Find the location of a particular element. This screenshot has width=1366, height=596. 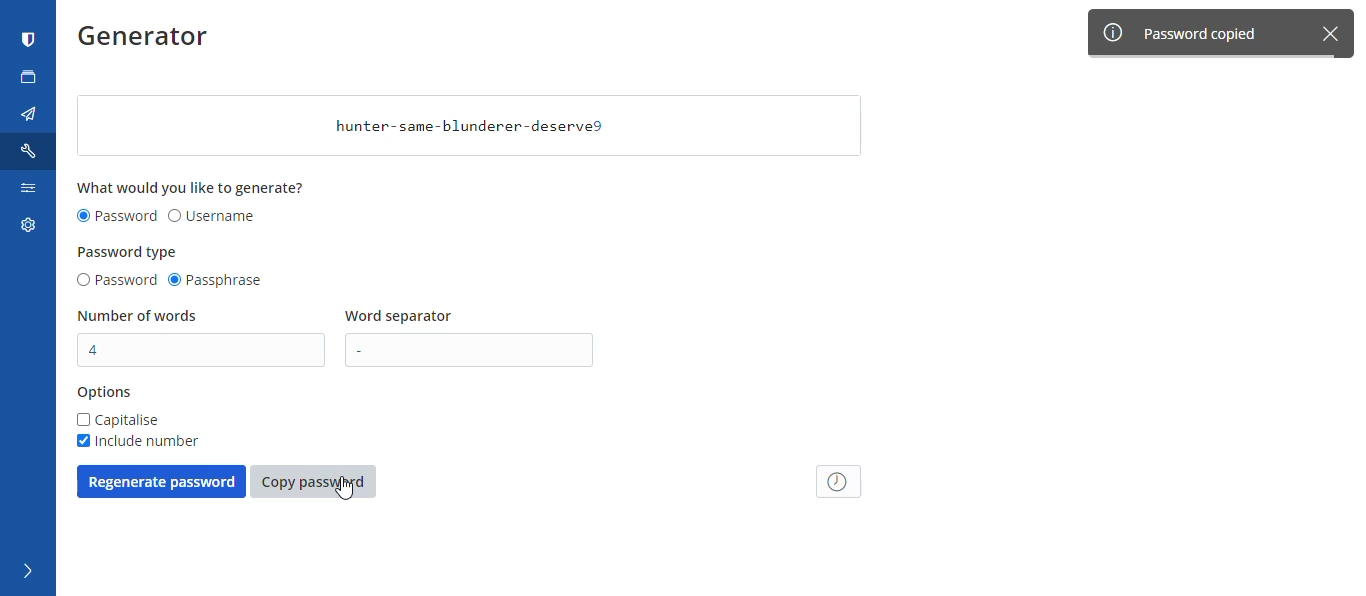

new tab is located at coordinates (29, 77).